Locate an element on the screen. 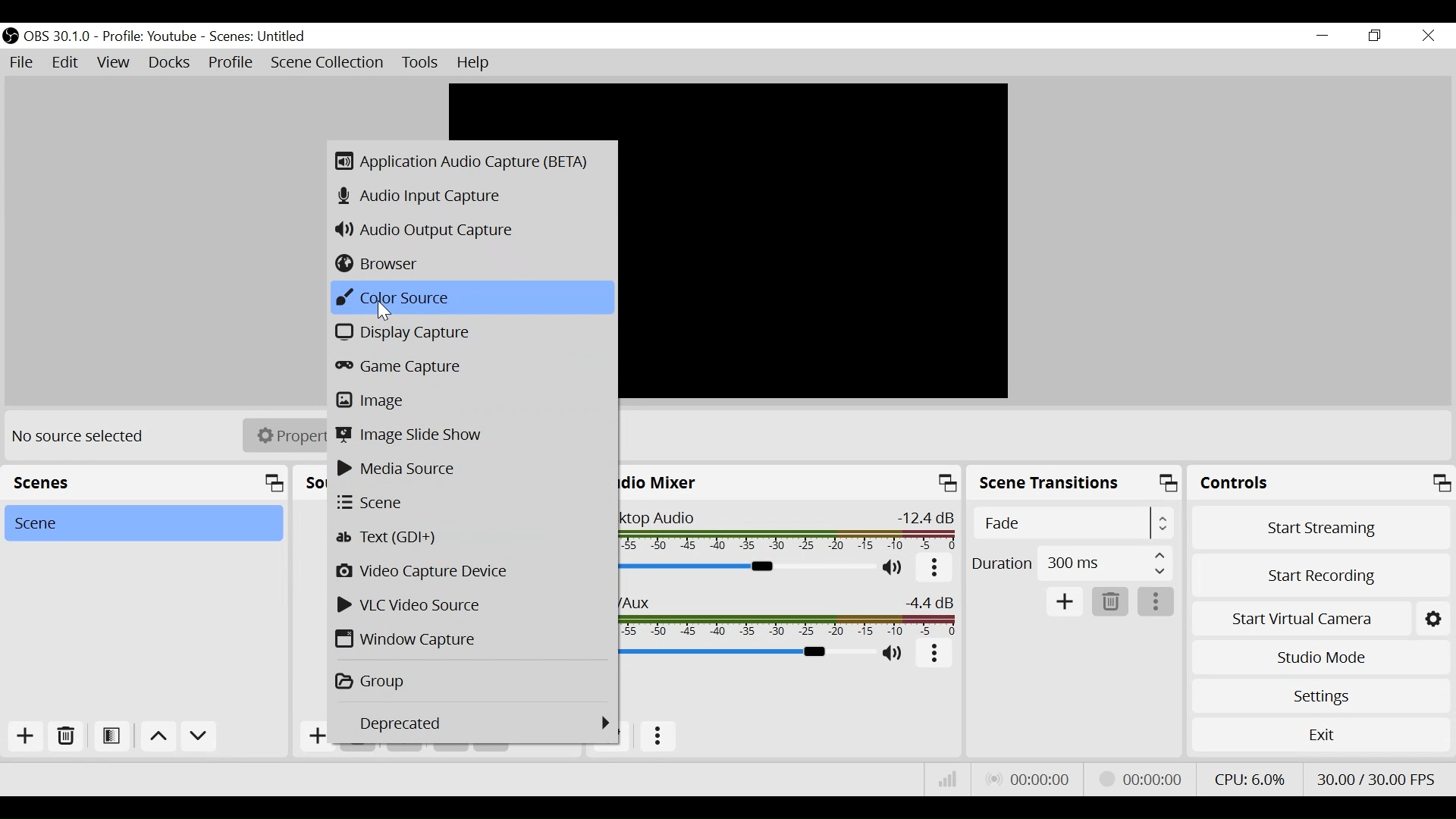 The width and height of the screenshot is (1456, 819). OBS Version is located at coordinates (58, 36).